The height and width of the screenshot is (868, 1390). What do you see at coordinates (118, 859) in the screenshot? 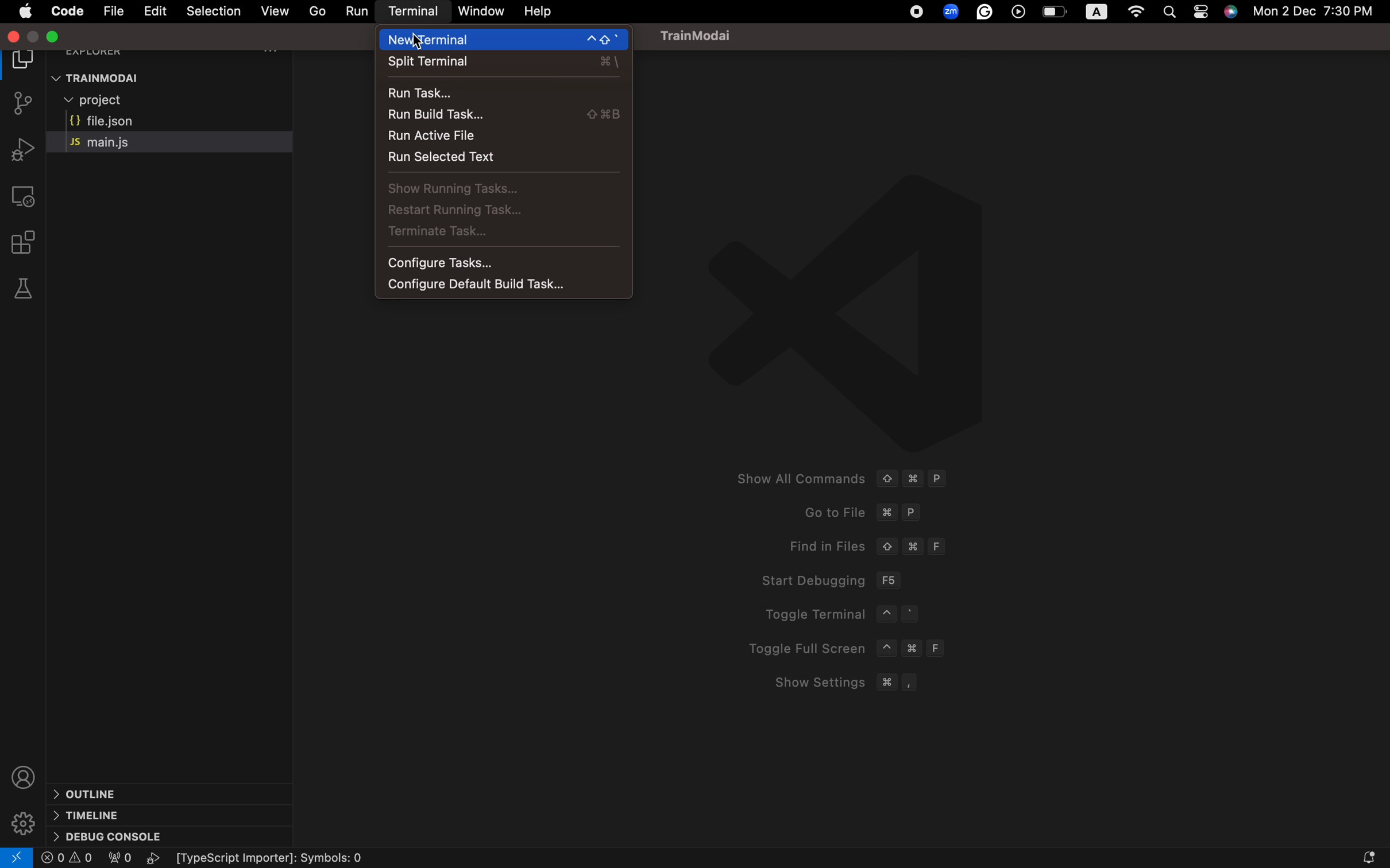
I see `Flg` at bounding box center [118, 859].